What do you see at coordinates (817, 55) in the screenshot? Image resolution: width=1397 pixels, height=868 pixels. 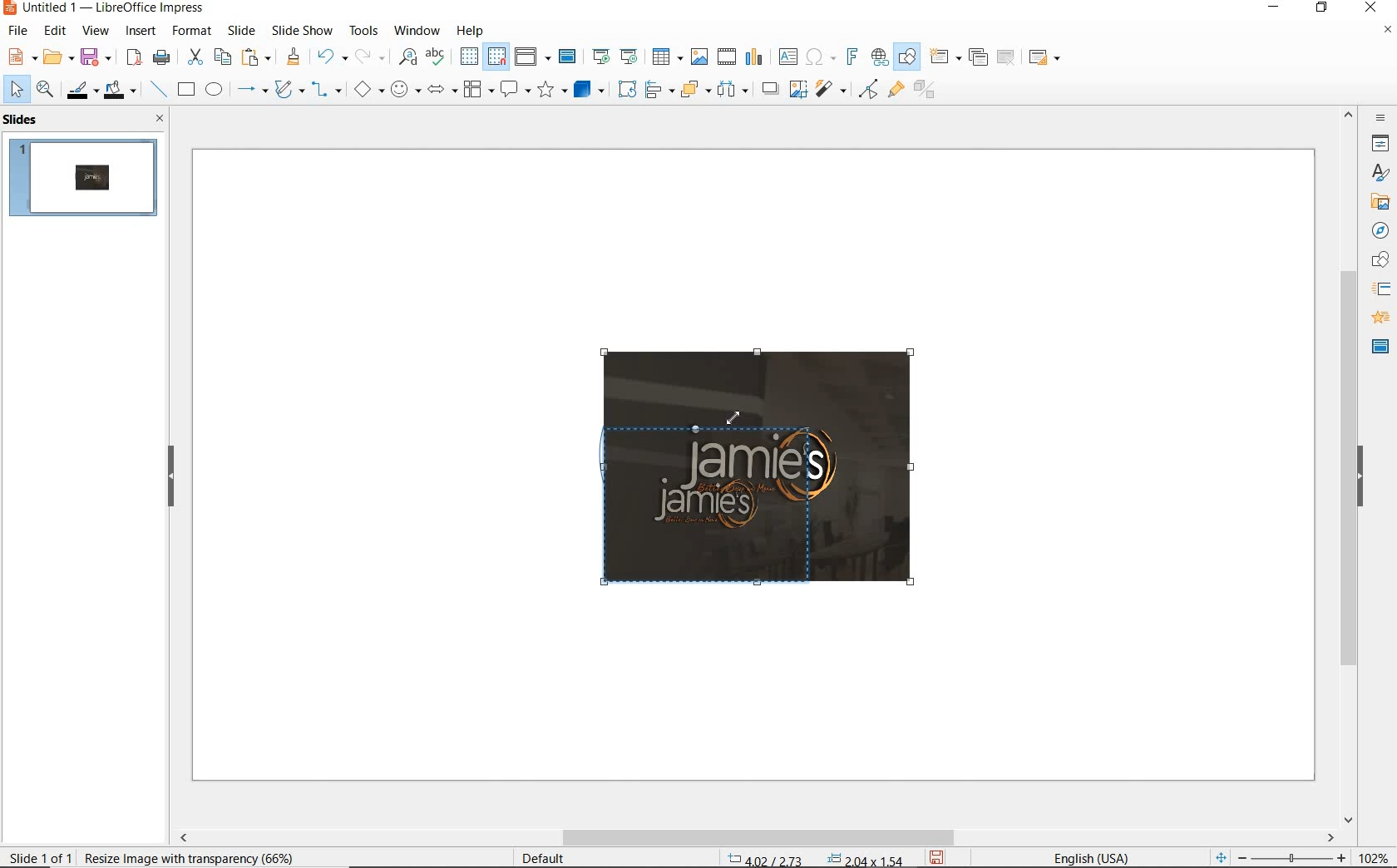 I see `insert special characters` at bounding box center [817, 55].